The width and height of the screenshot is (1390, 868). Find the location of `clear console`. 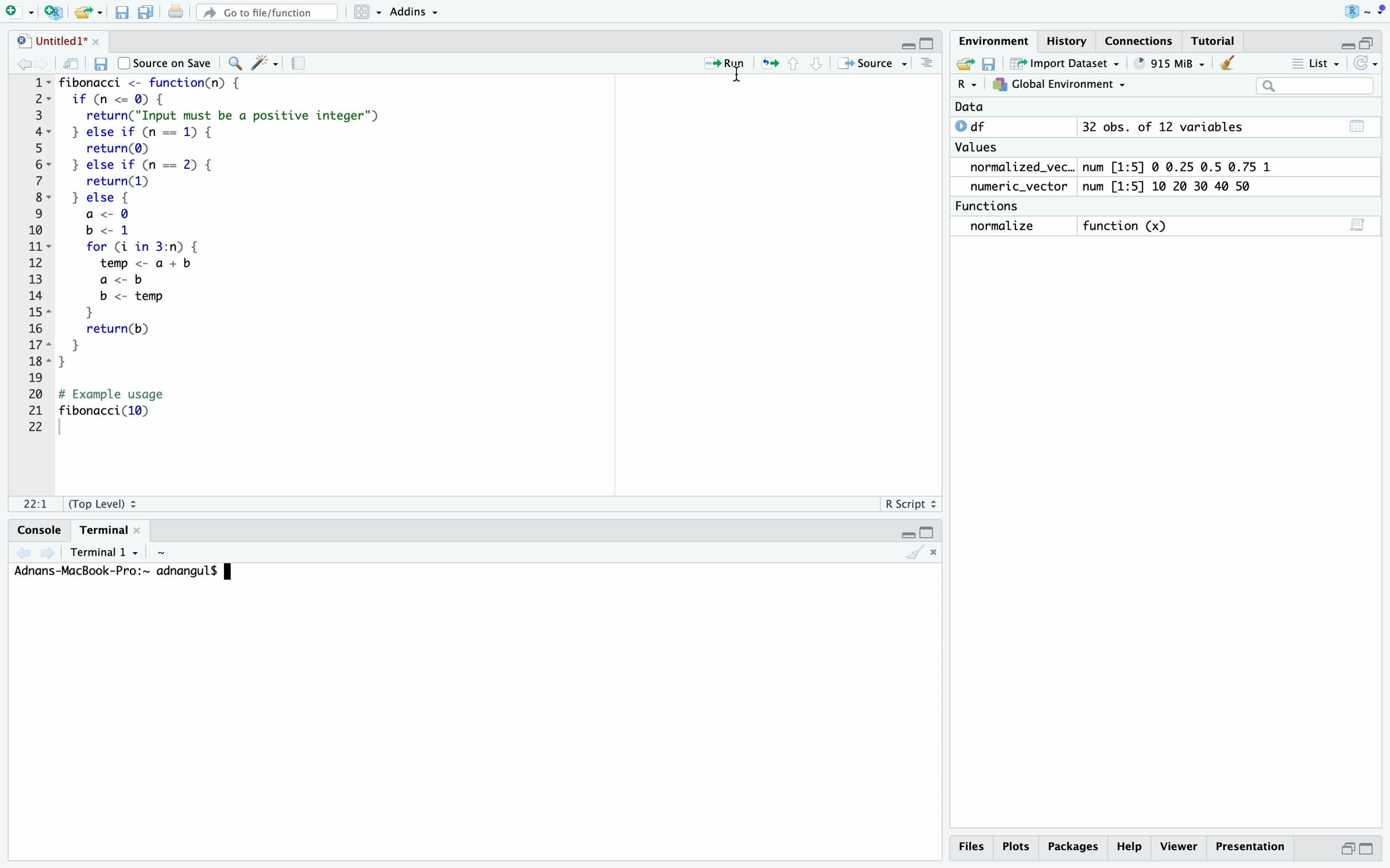

clear console is located at coordinates (928, 556).